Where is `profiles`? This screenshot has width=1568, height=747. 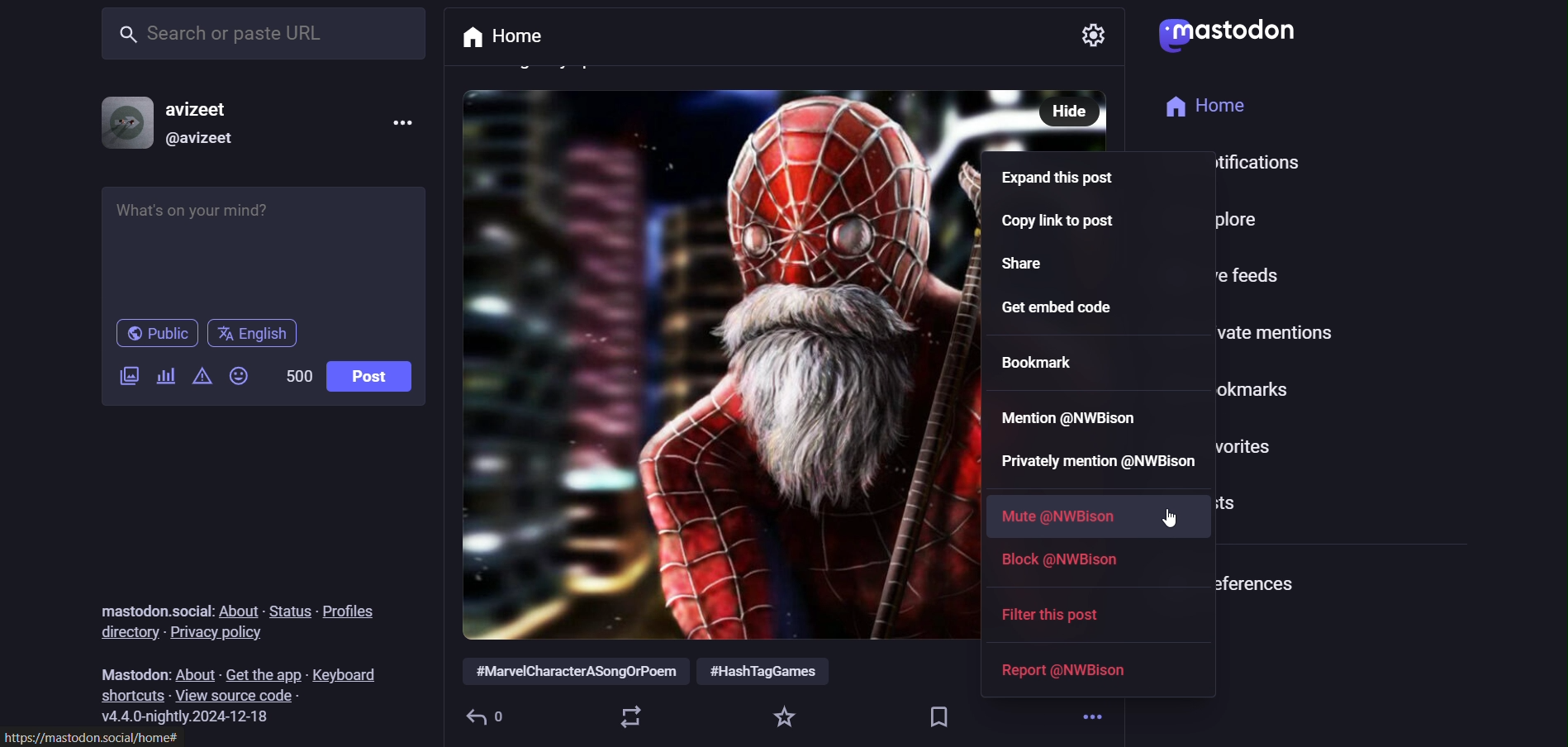 profiles is located at coordinates (349, 612).